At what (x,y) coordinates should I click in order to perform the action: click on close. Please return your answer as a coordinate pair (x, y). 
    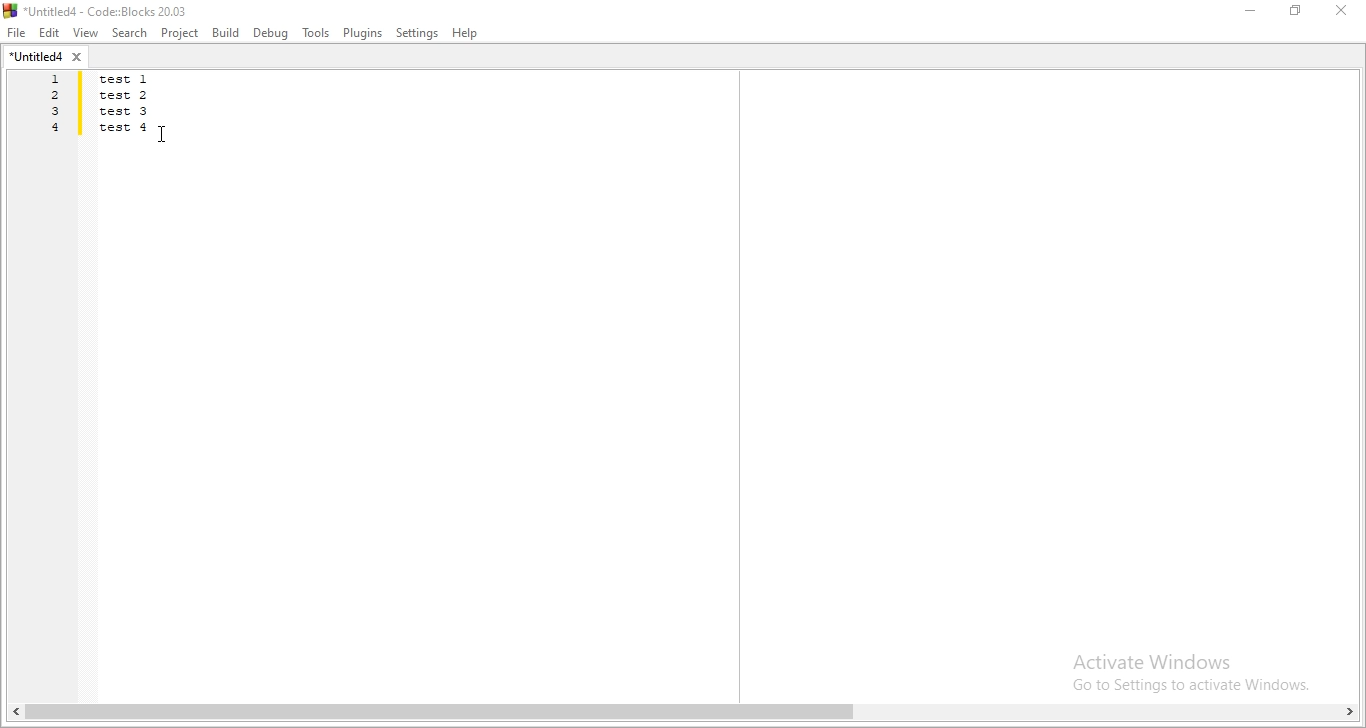
    Looking at the image, I should click on (1346, 12).